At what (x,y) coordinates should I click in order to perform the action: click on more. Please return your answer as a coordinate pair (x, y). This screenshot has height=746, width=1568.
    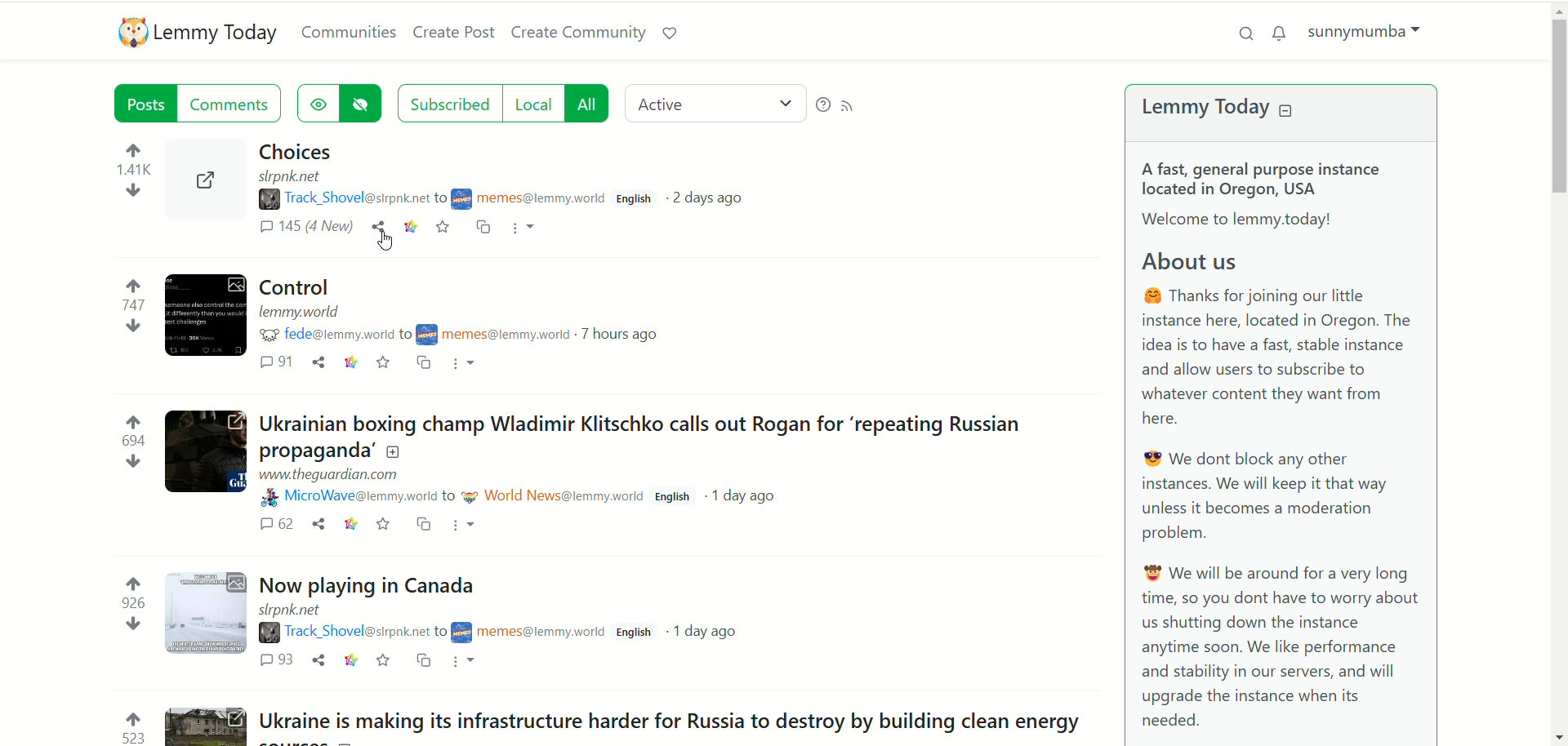
    Looking at the image, I should click on (467, 527).